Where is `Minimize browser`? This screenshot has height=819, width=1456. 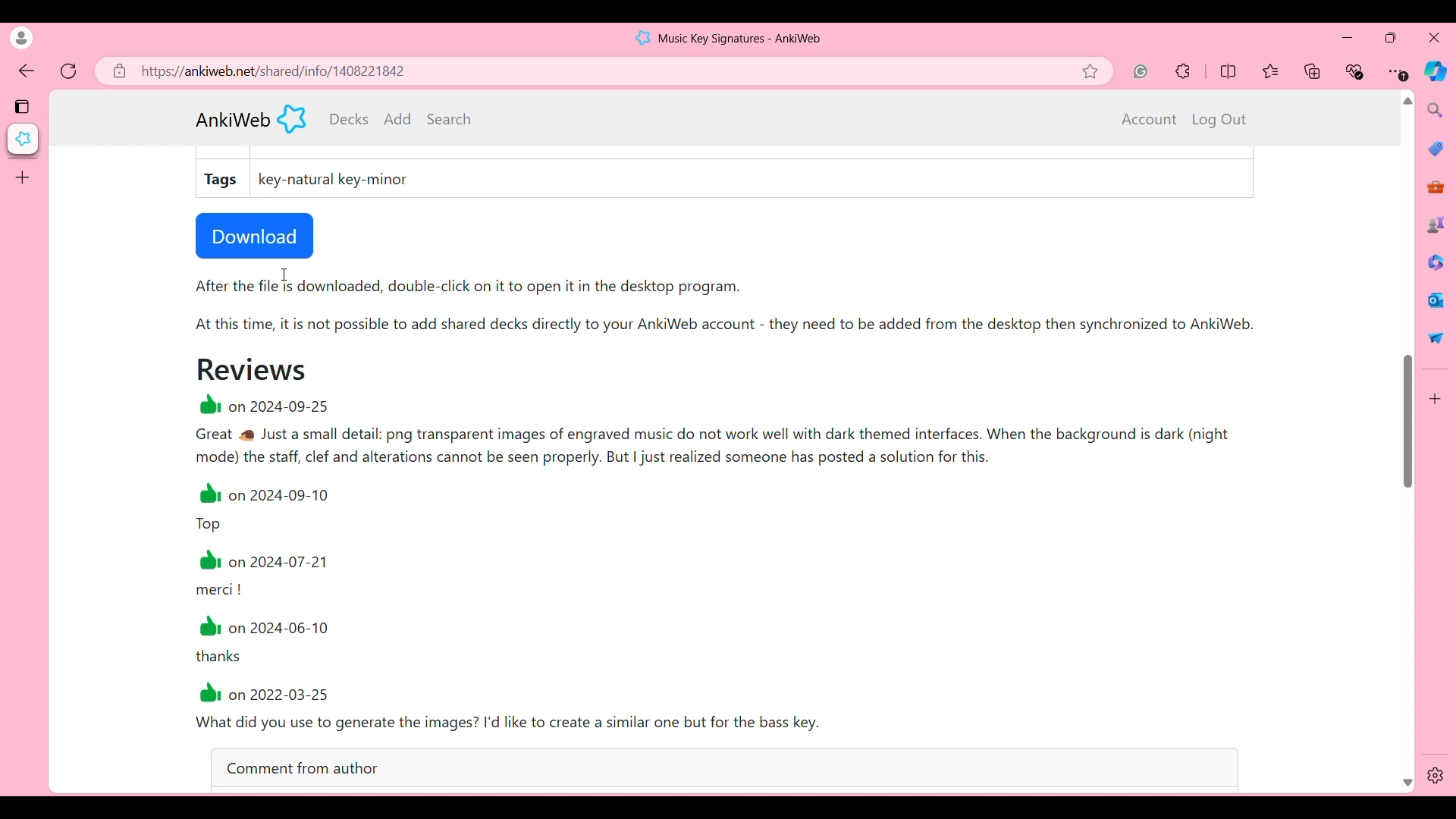 Minimize browser is located at coordinates (1347, 37).